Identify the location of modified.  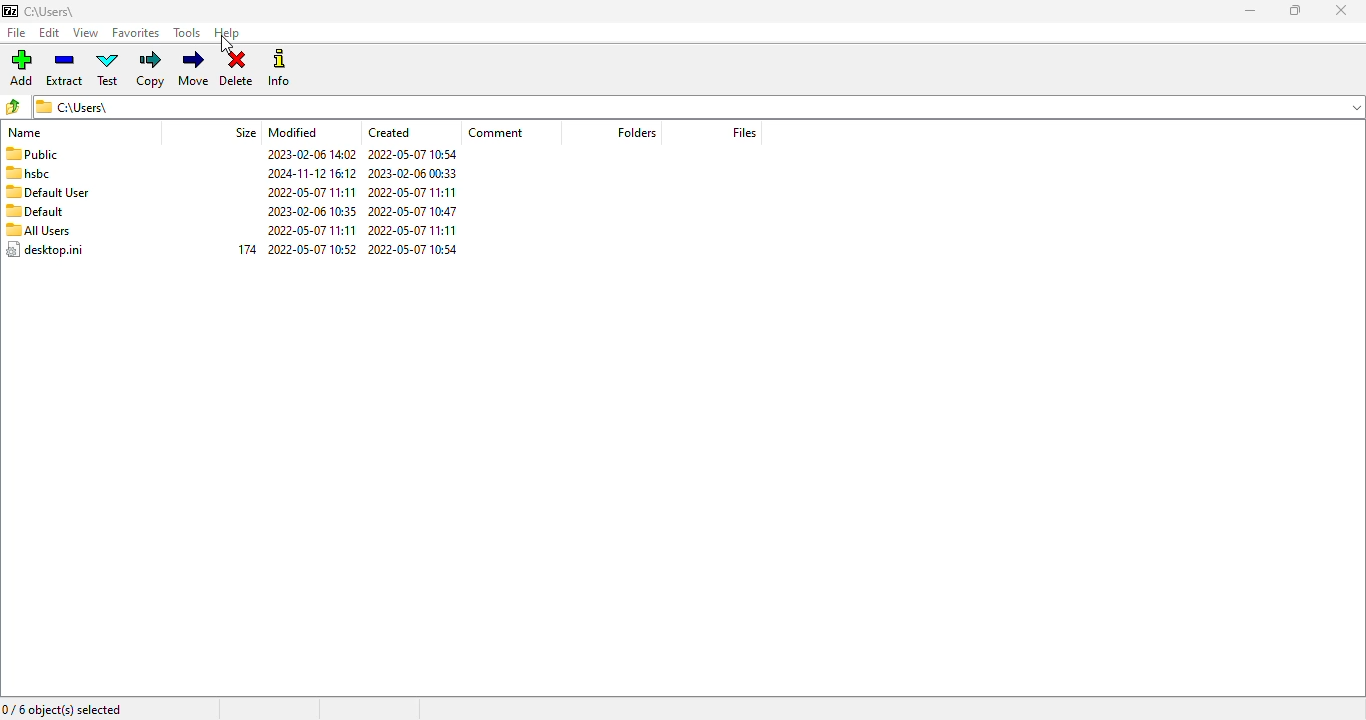
(293, 132).